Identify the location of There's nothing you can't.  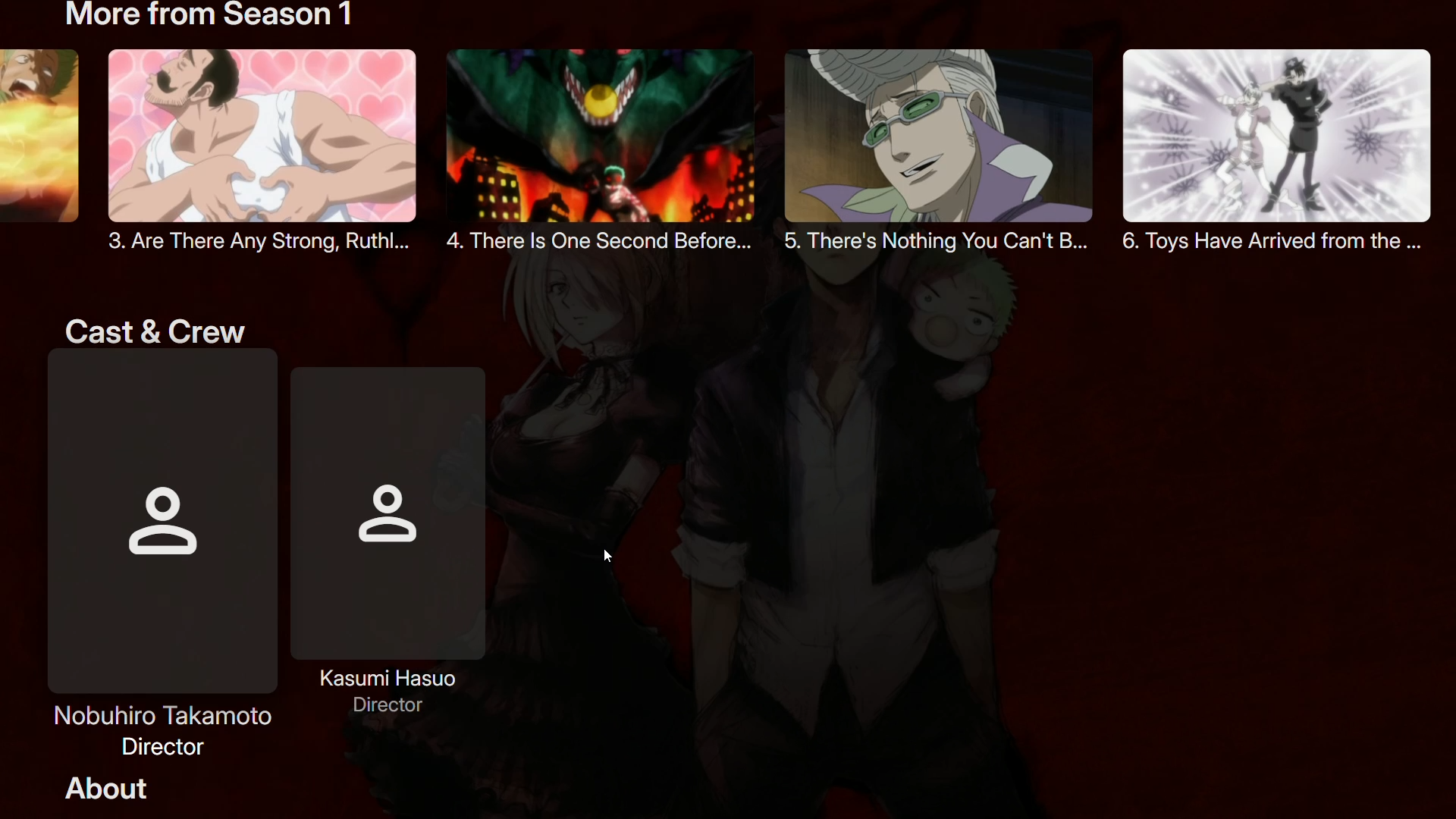
(946, 149).